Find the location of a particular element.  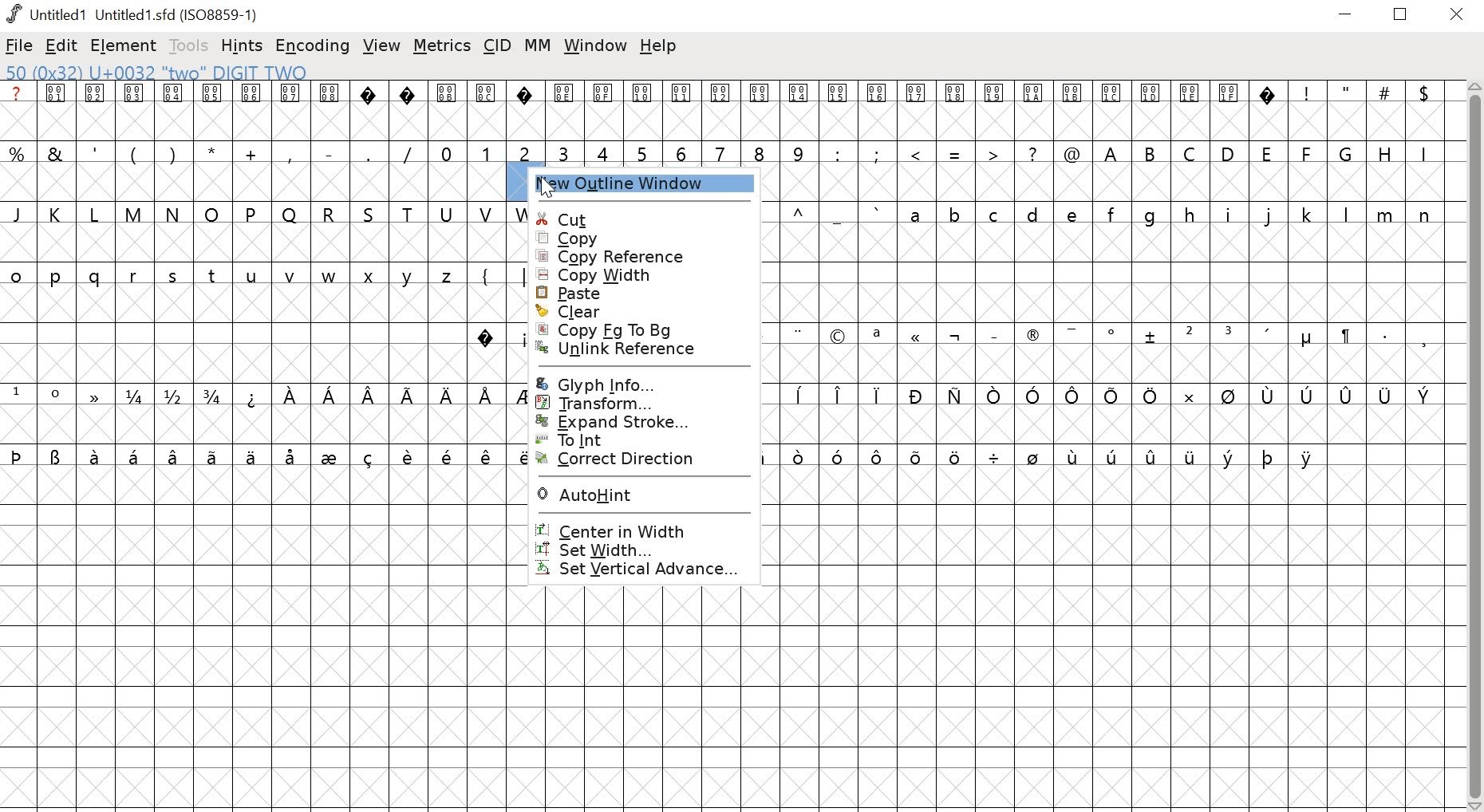

SET WIDTH is located at coordinates (641, 549).